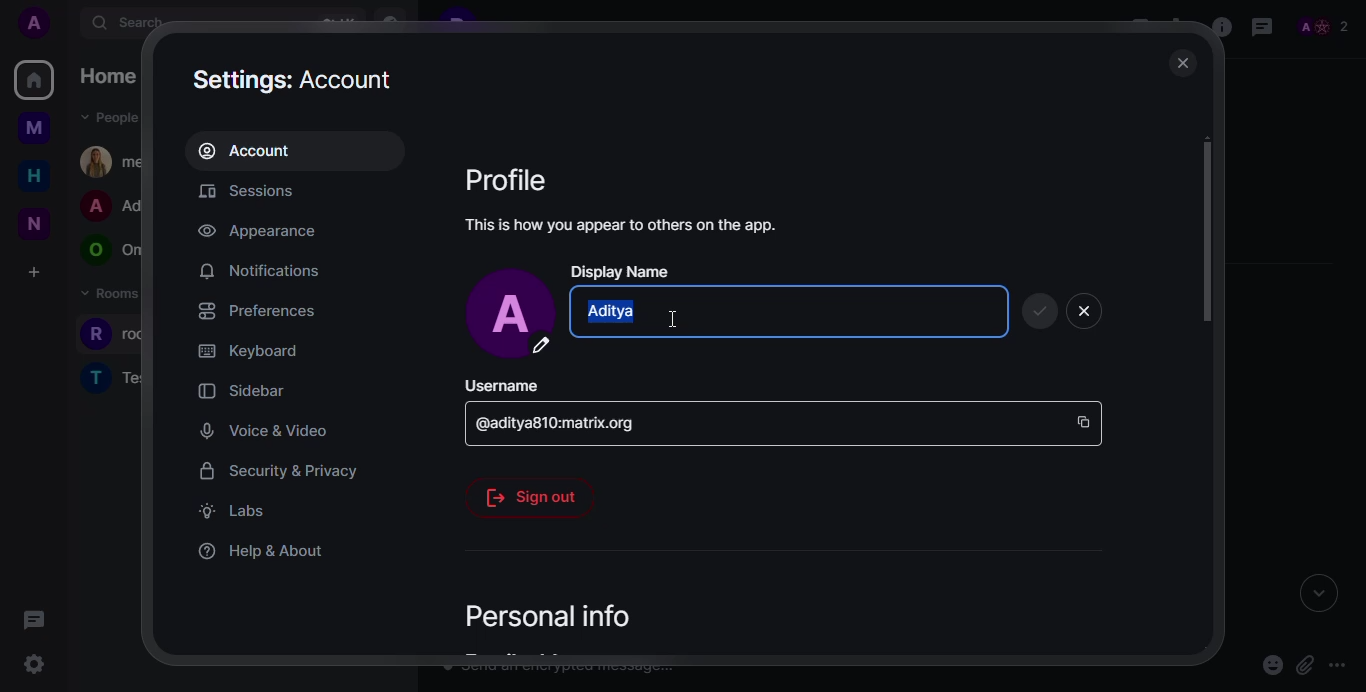  I want to click on id space bar, so click(558, 422).